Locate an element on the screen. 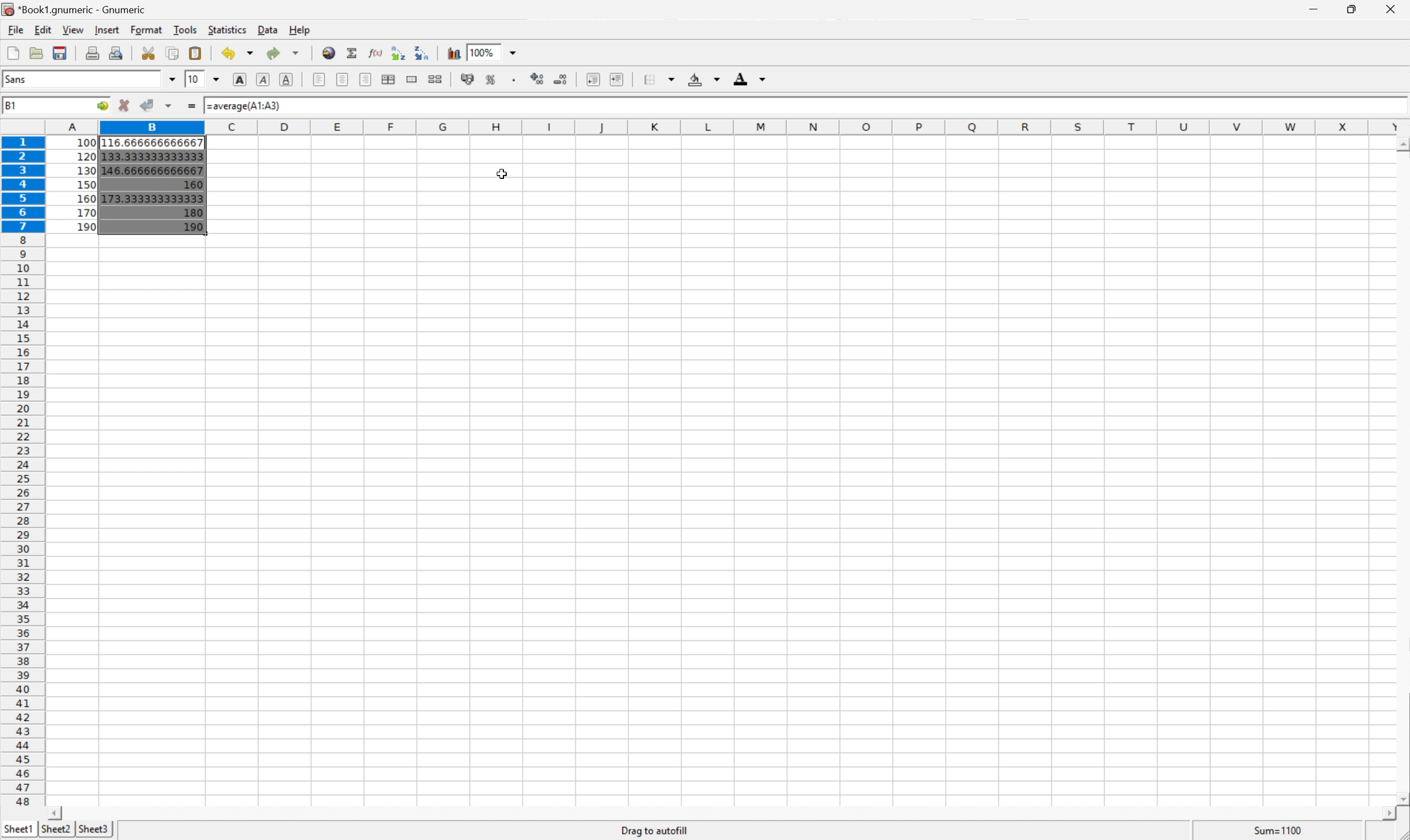  Create a new workbook is located at coordinates (11, 53).